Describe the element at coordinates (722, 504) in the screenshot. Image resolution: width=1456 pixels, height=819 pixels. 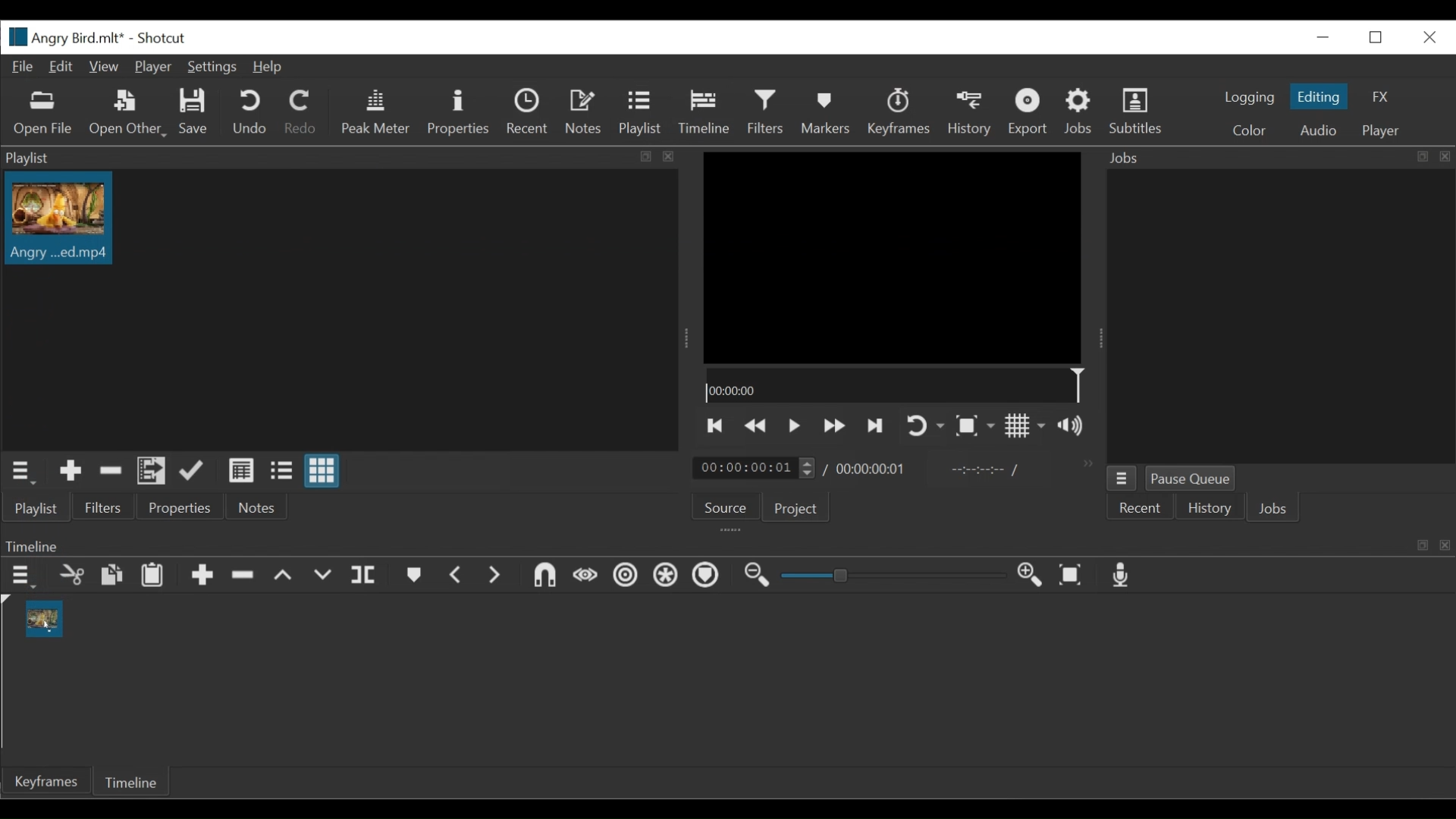
I see `Source` at that location.